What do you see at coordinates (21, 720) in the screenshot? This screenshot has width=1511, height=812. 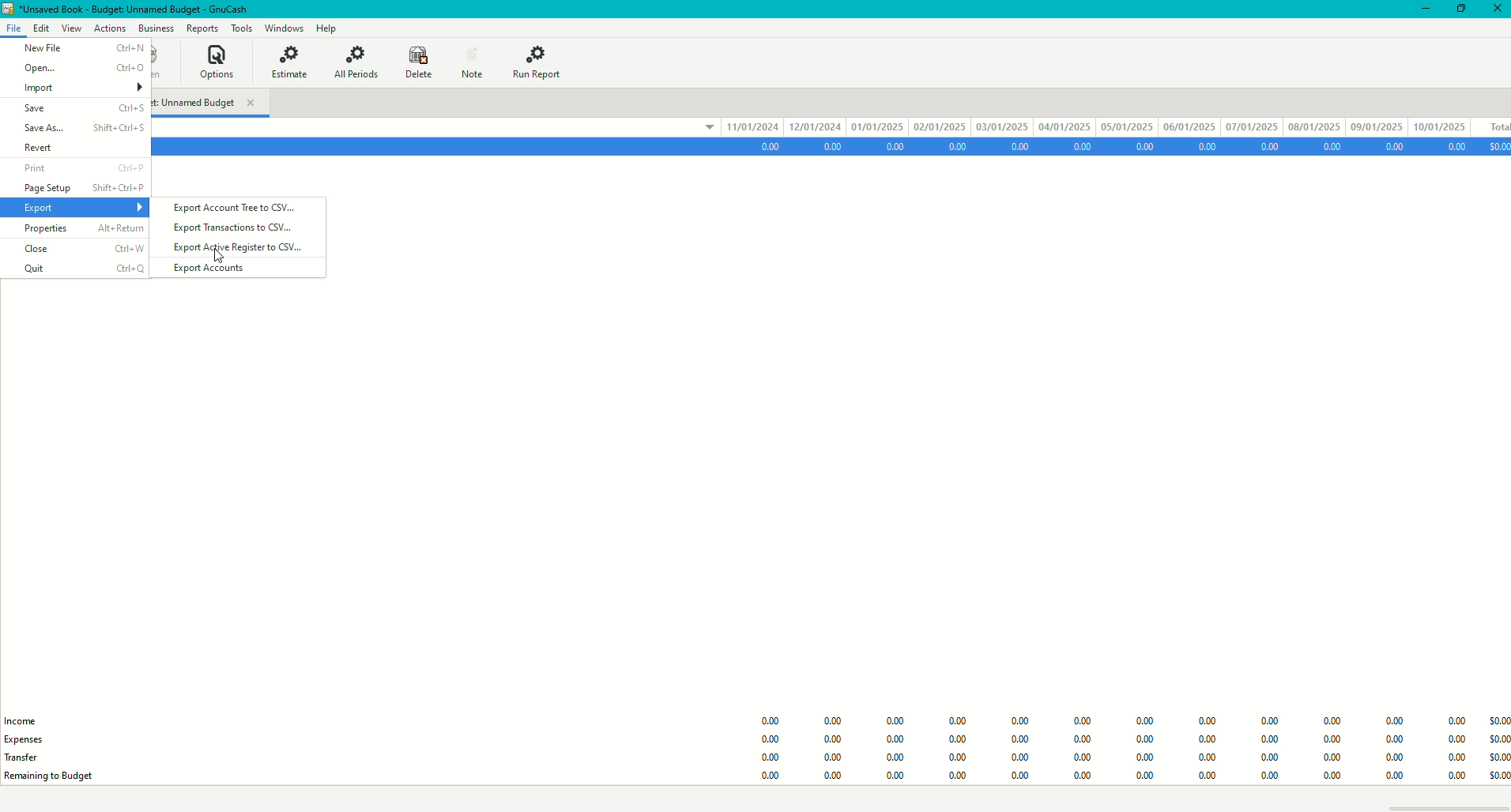 I see `Income` at bounding box center [21, 720].